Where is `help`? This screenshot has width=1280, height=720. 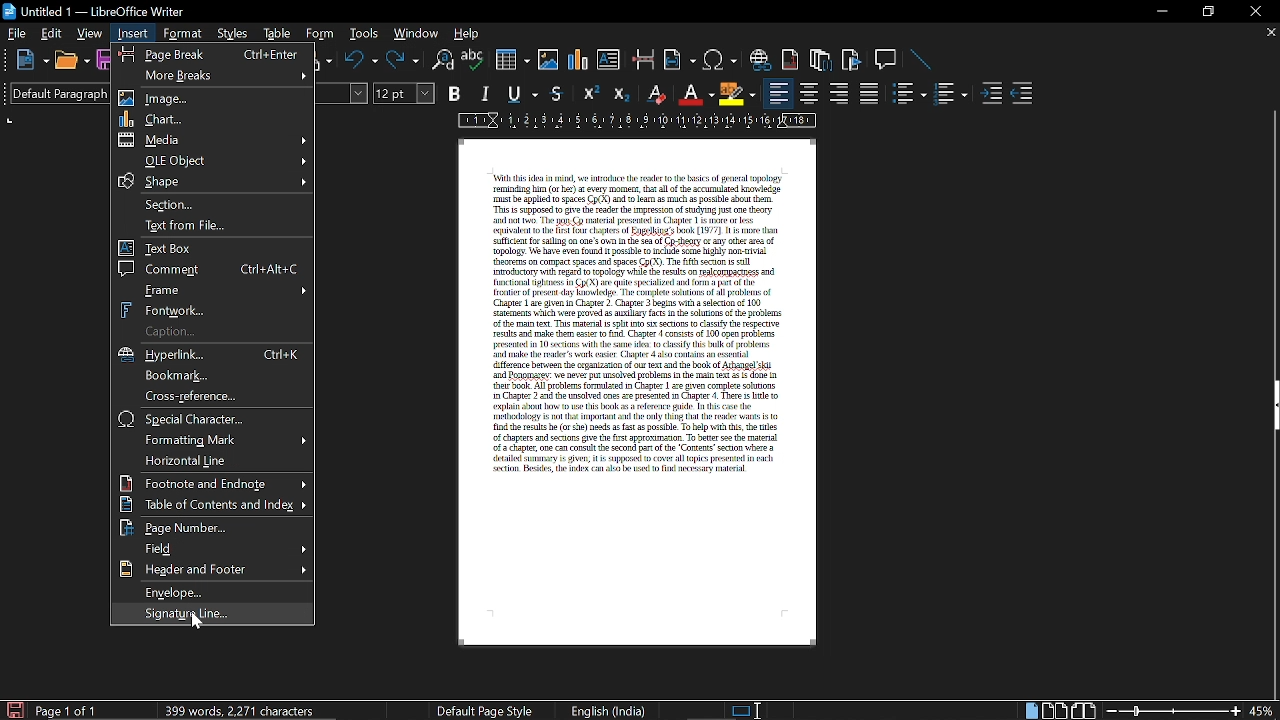
help is located at coordinates (471, 33).